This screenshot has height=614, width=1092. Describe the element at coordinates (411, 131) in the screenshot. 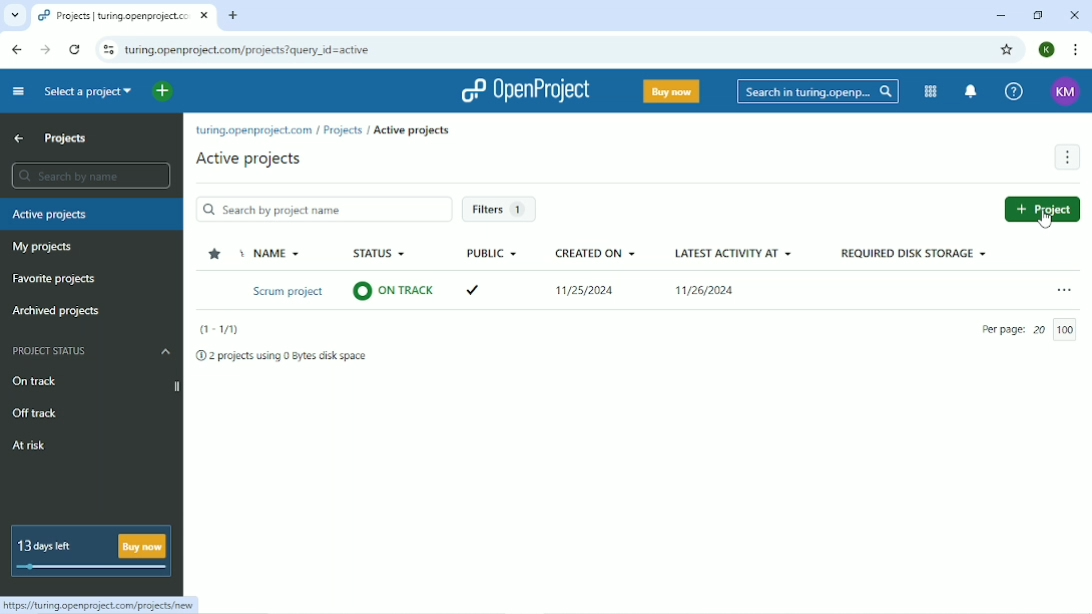

I see `Active projects` at that location.